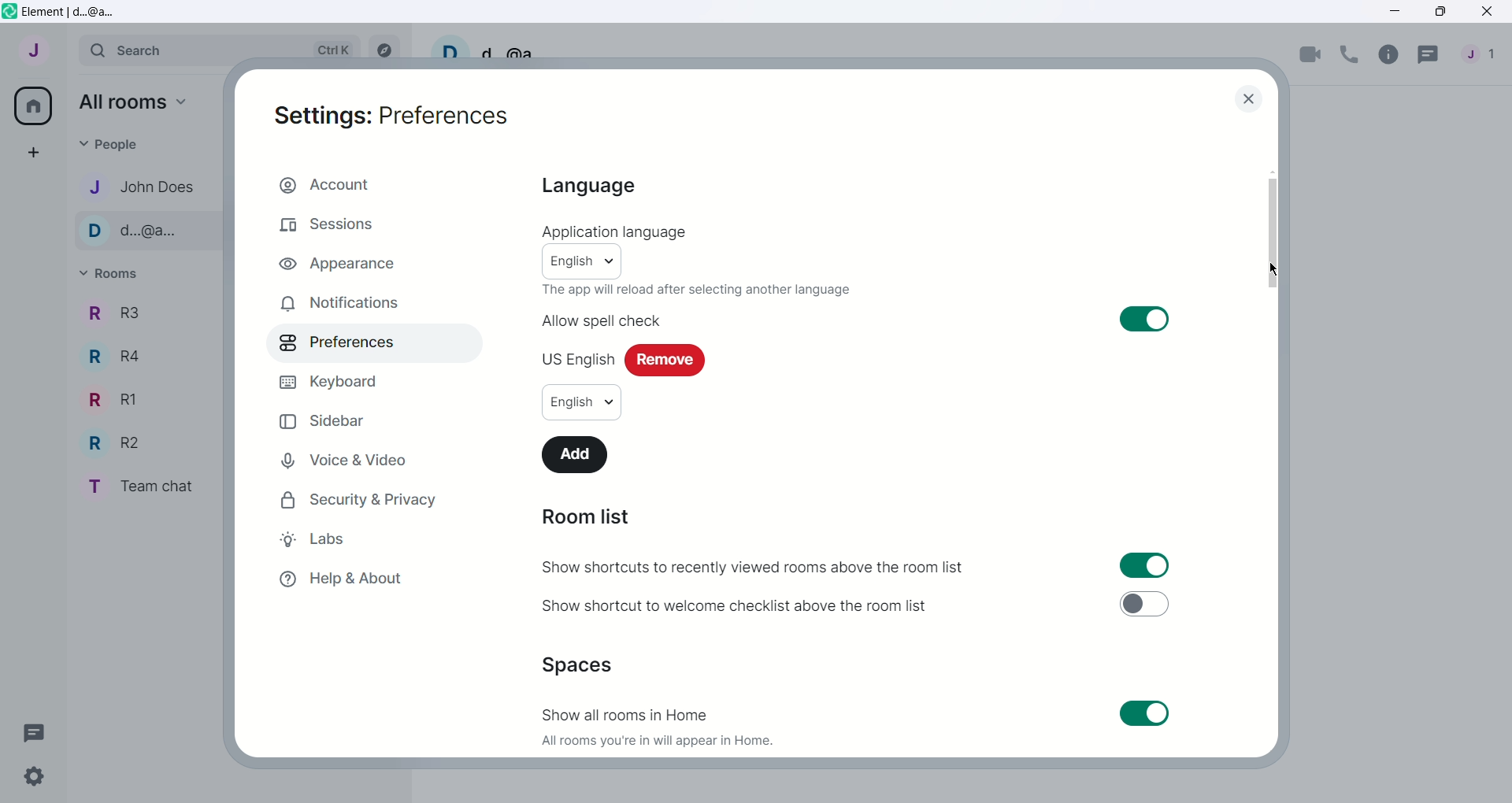 The height and width of the screenshot is (803, 1512). What do you see at coordinates (116, 399) in the screenshot?
I see `R1 - Room Name` at bounding box center [116, 399].